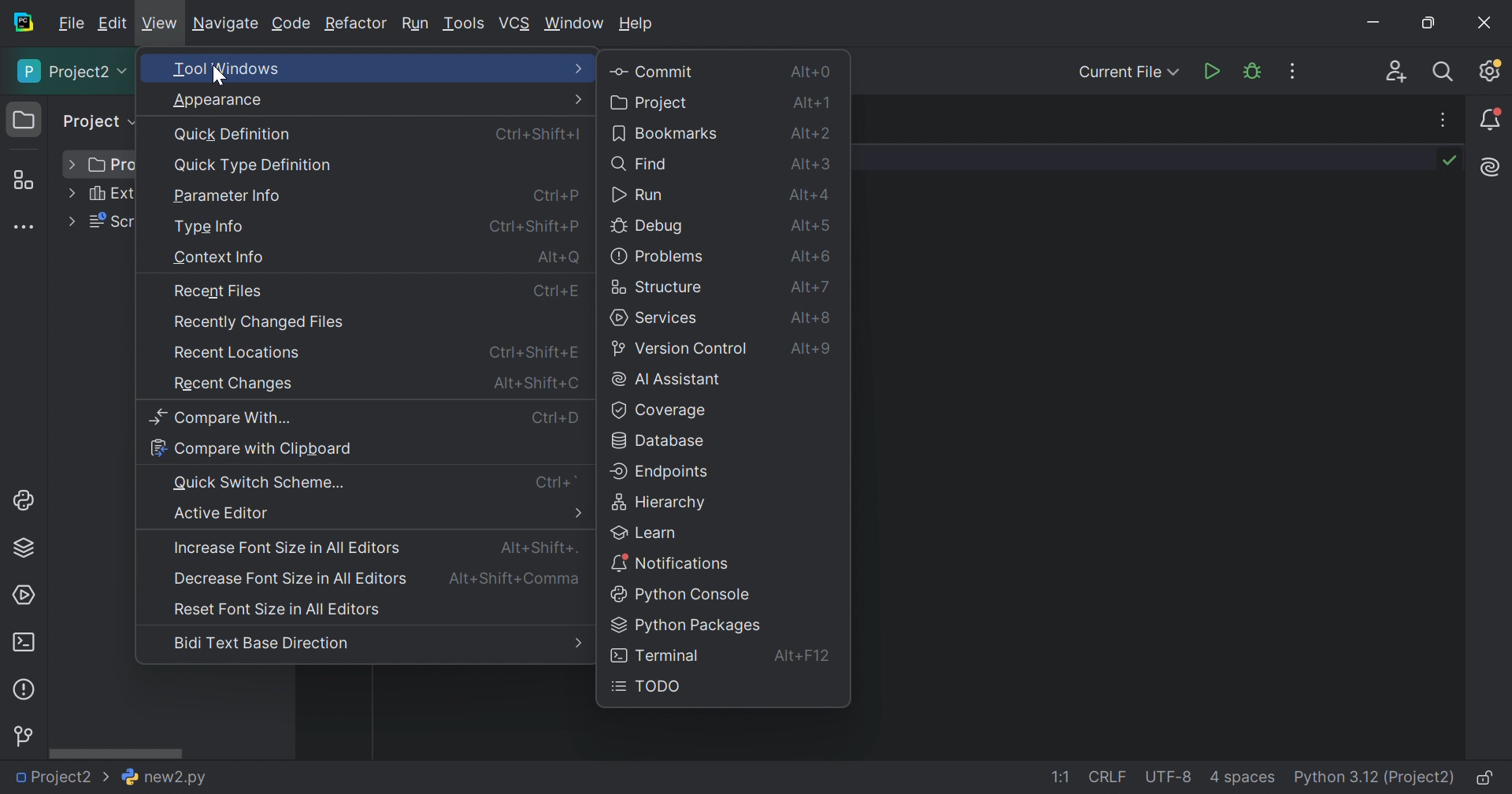 The height and width of the screenshot is (794, 1512). Describe the element at coordinates (24, 121) in the screenshot. I see `Project icon` at that location.